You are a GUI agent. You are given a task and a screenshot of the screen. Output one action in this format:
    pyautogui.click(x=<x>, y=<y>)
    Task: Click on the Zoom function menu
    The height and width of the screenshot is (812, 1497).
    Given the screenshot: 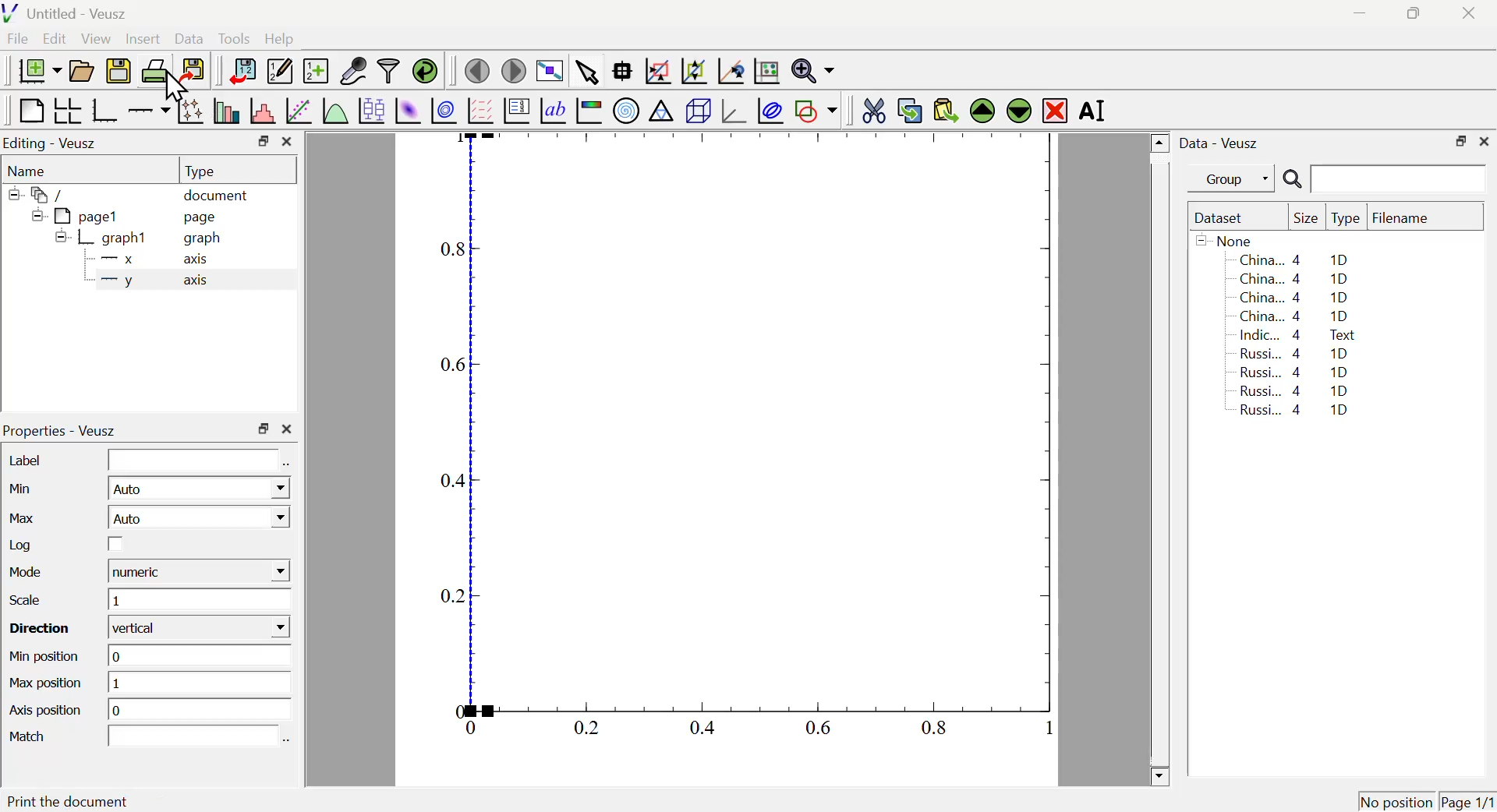 What is the action you would take?
    pyautogui.click(x=813, y=69)
    